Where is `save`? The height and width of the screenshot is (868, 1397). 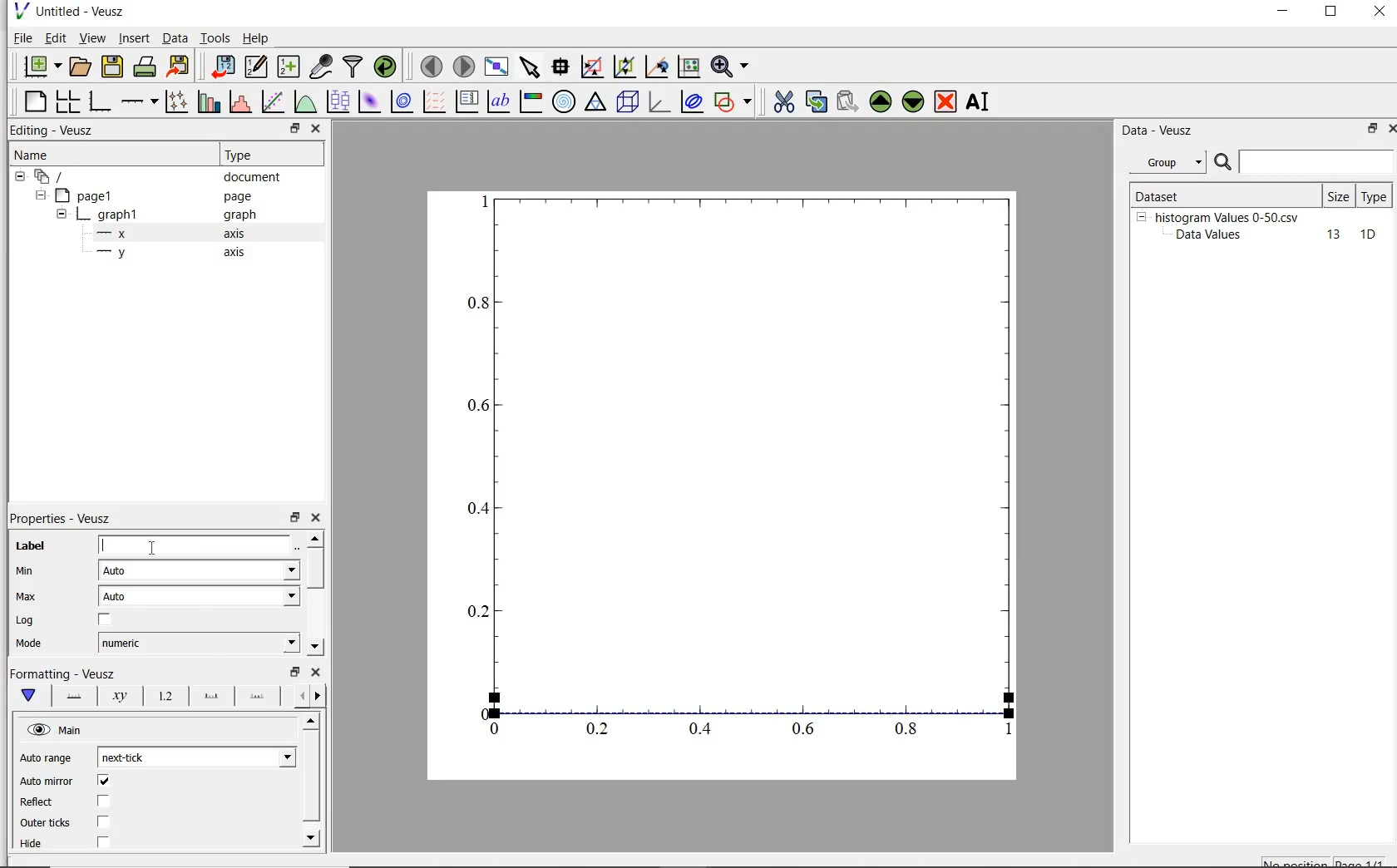
save is located at coordinates (113, 65).